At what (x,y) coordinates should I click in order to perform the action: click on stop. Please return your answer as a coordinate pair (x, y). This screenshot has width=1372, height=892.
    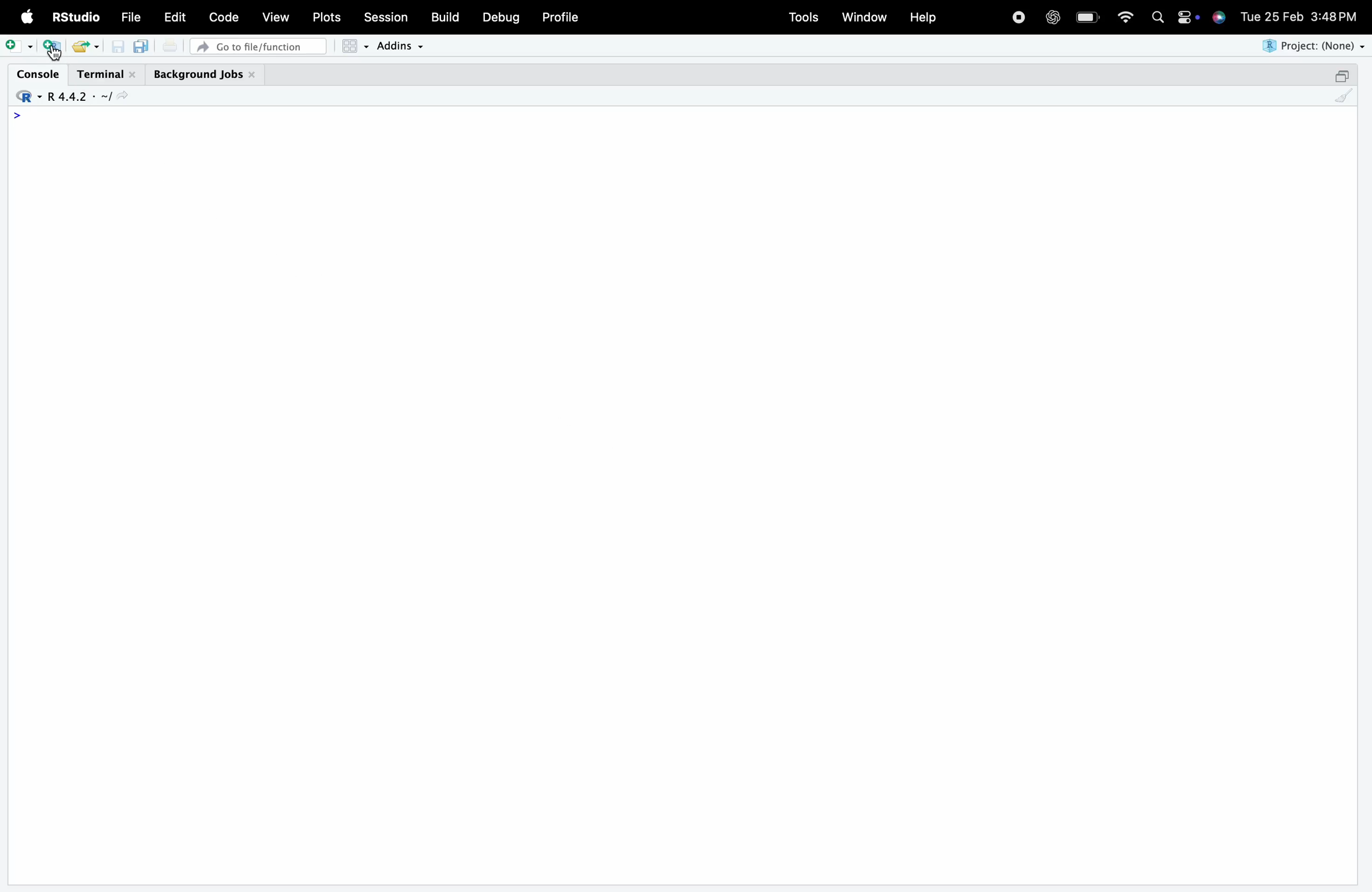
    Looking at the image, I should click on (1018, 16).